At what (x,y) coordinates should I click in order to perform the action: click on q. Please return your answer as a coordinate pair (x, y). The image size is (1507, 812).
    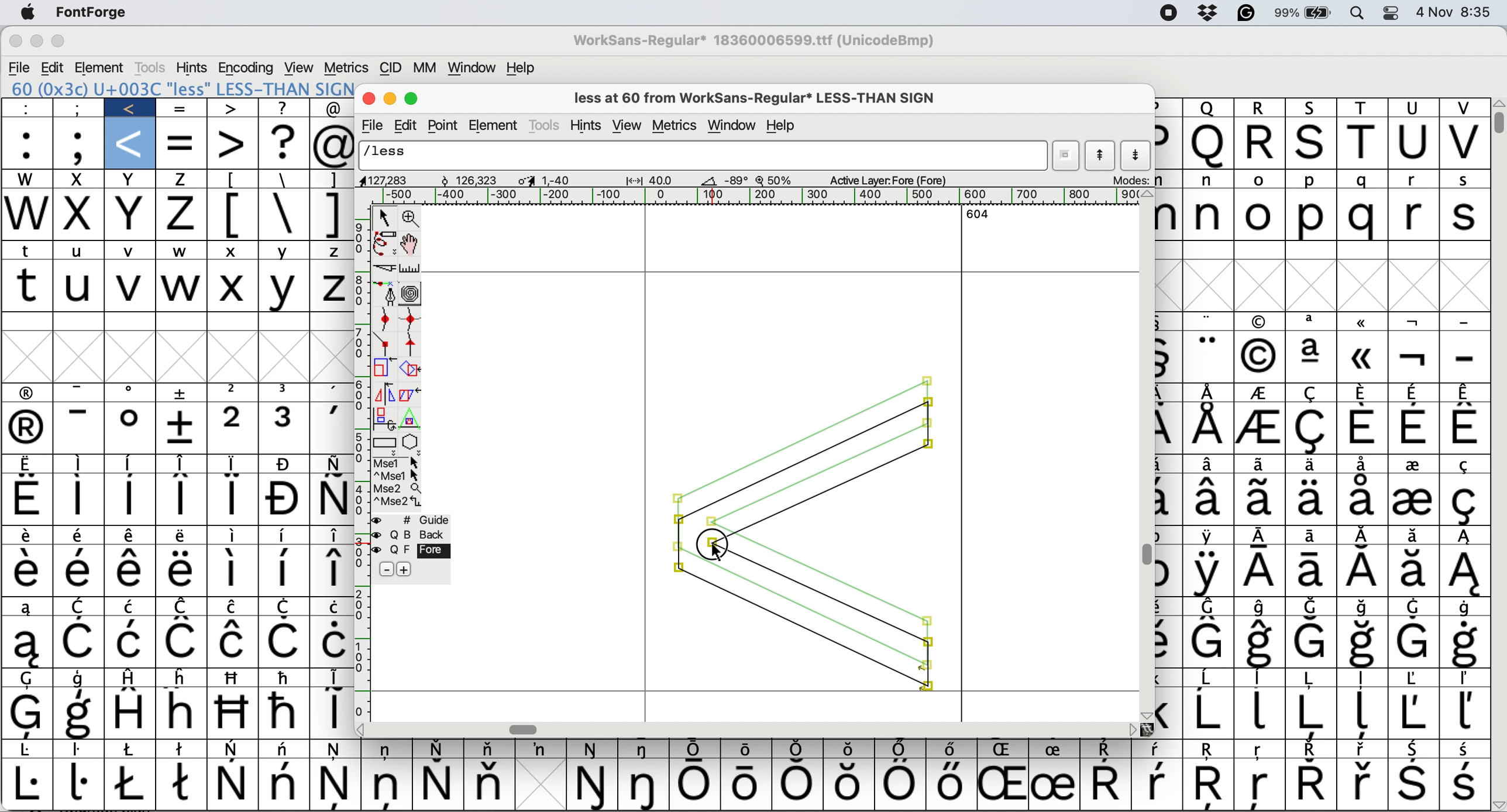
    Looking at the image, I should click on (1363, 180).